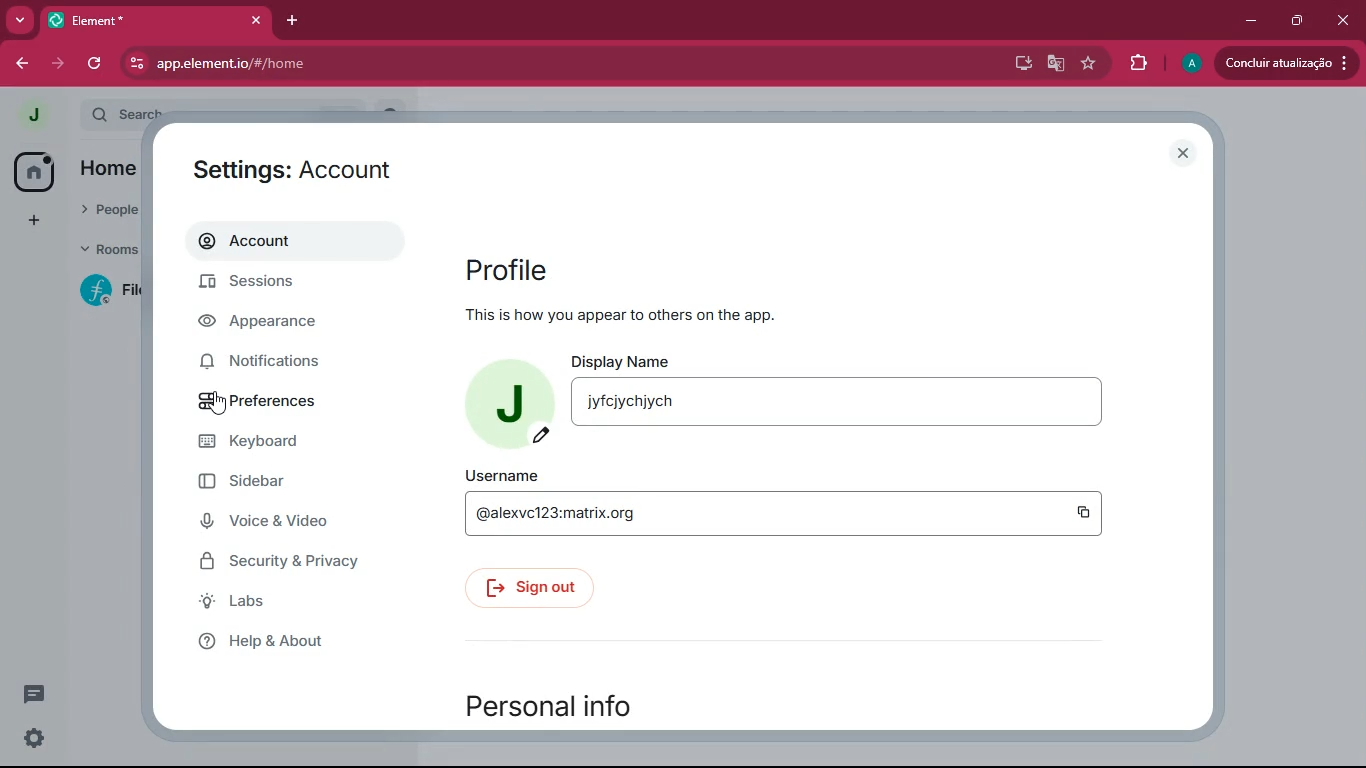  What do you see at coordinates (278, 604) in the screenshot?
I see `labs` at bounding box center [278, 604].